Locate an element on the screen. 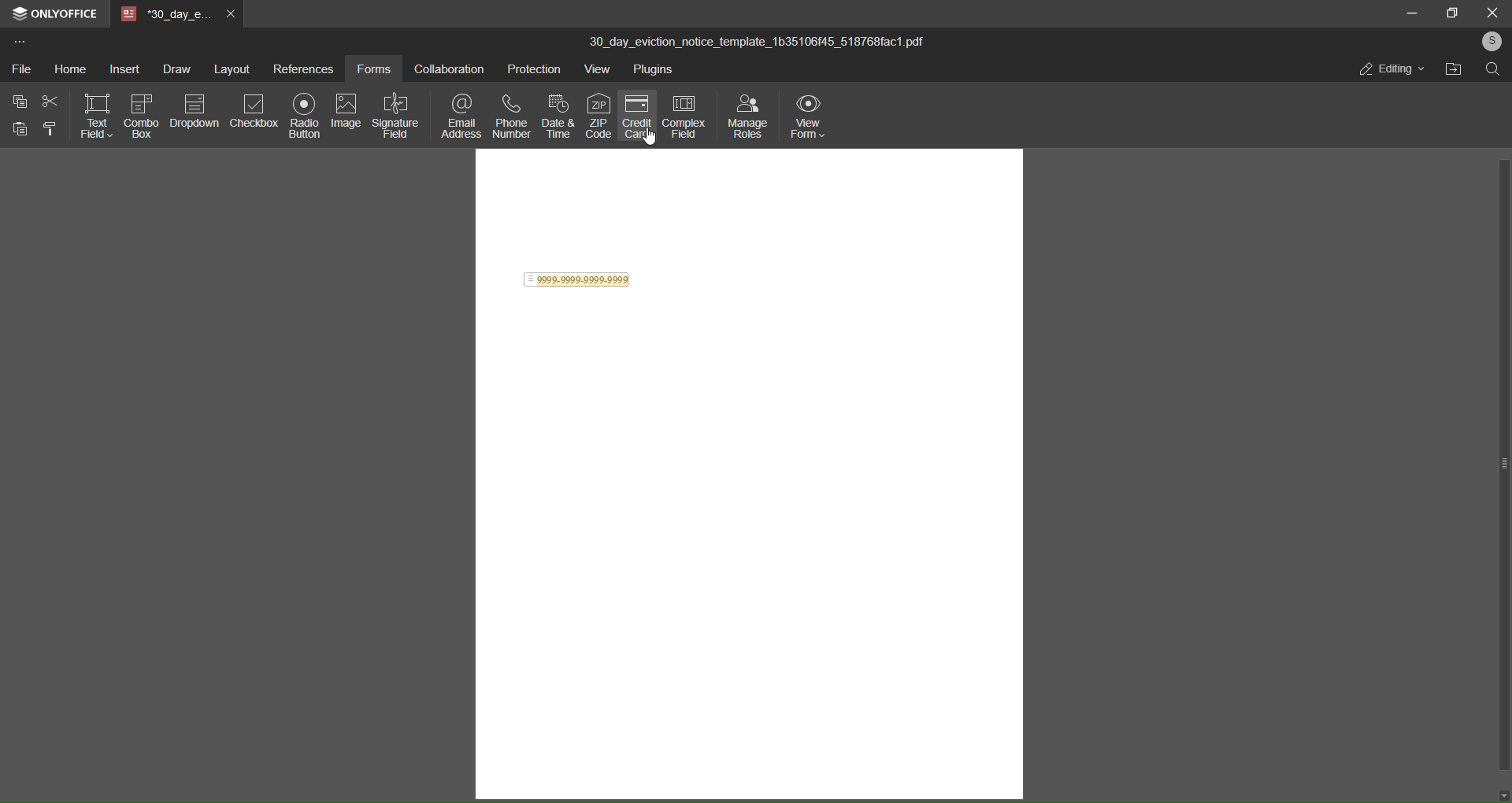 This screenshot has width=1512, height=803. protection is located at coordinates (535, 68).